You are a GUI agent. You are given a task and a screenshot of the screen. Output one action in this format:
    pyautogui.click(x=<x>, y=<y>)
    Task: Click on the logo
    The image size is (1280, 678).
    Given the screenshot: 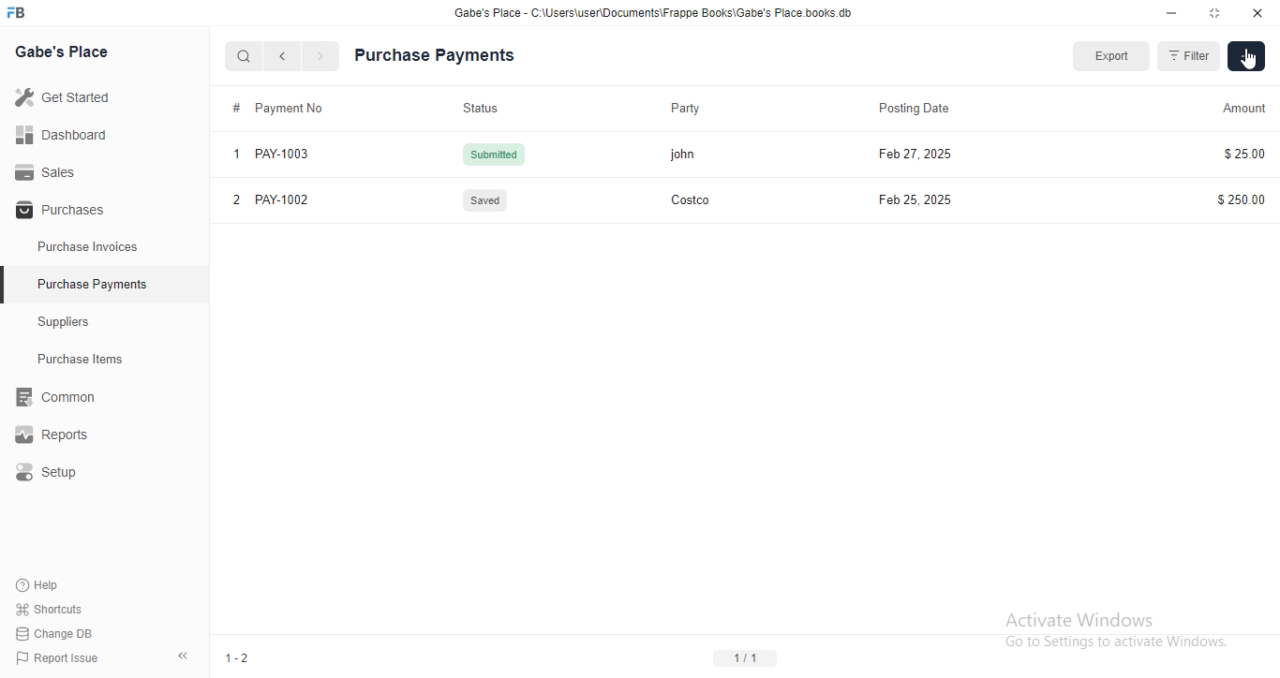 What is the action you would take?
    pyautogui.click(x=22, y=13)
    